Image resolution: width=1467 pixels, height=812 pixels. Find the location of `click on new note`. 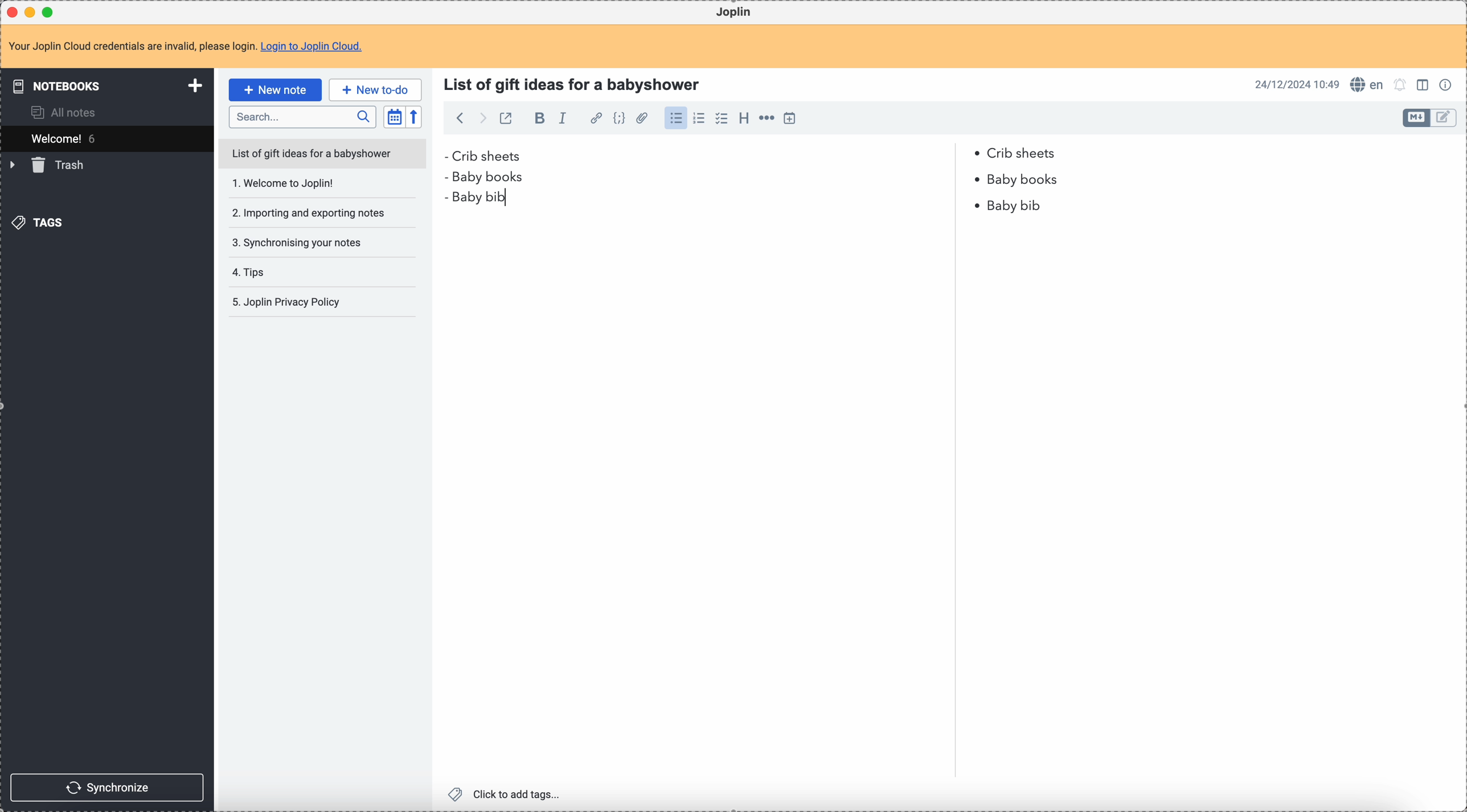

click on new note is located at coordinates (274, 90).